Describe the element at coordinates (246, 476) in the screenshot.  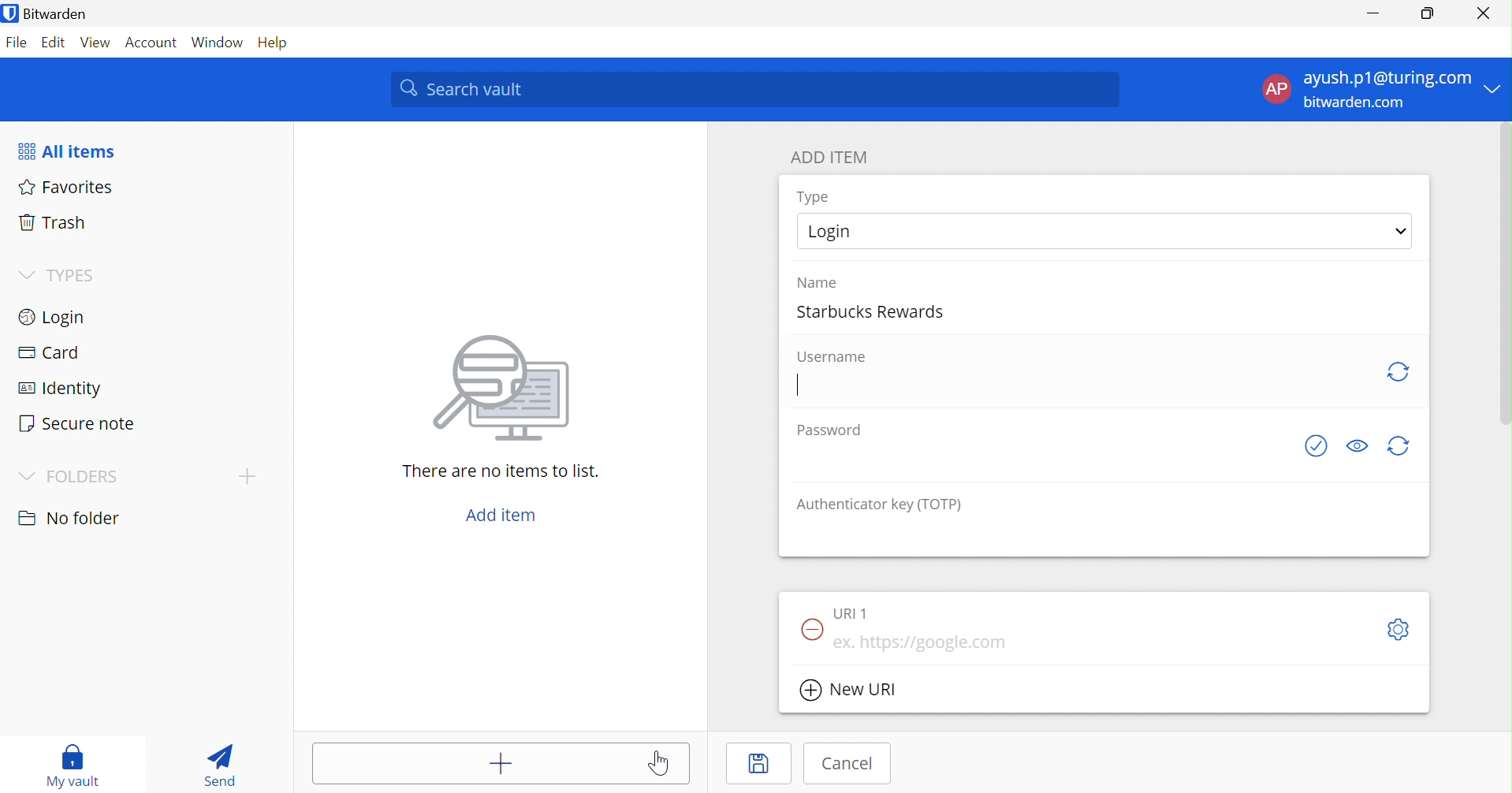
I see `Drop Down` at that location.